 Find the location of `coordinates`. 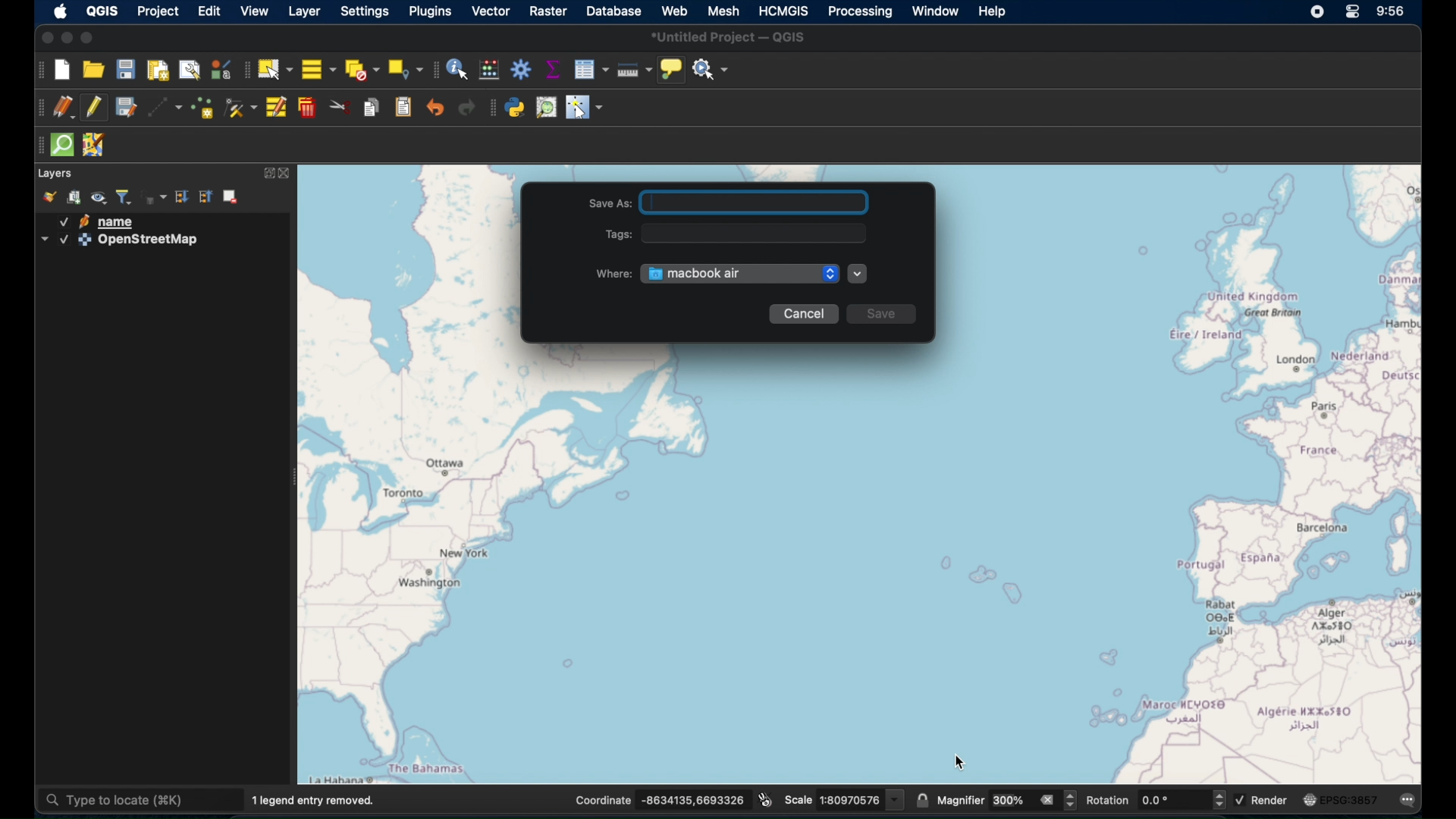

coordinates is located at coordinates (662, 801).